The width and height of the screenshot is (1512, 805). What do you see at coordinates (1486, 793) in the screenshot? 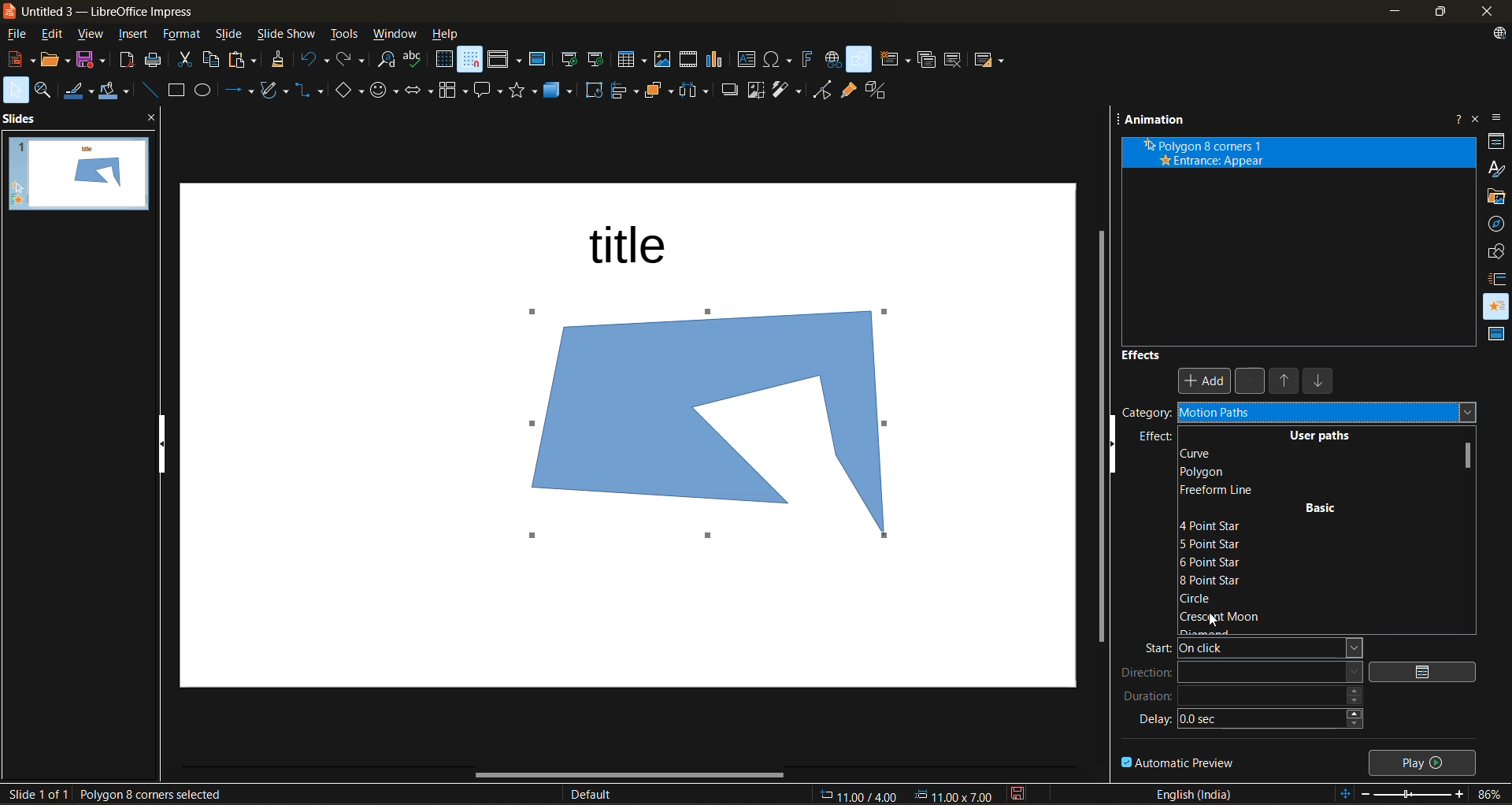
I see `zoom factor` at bounding box center [1486, 793].